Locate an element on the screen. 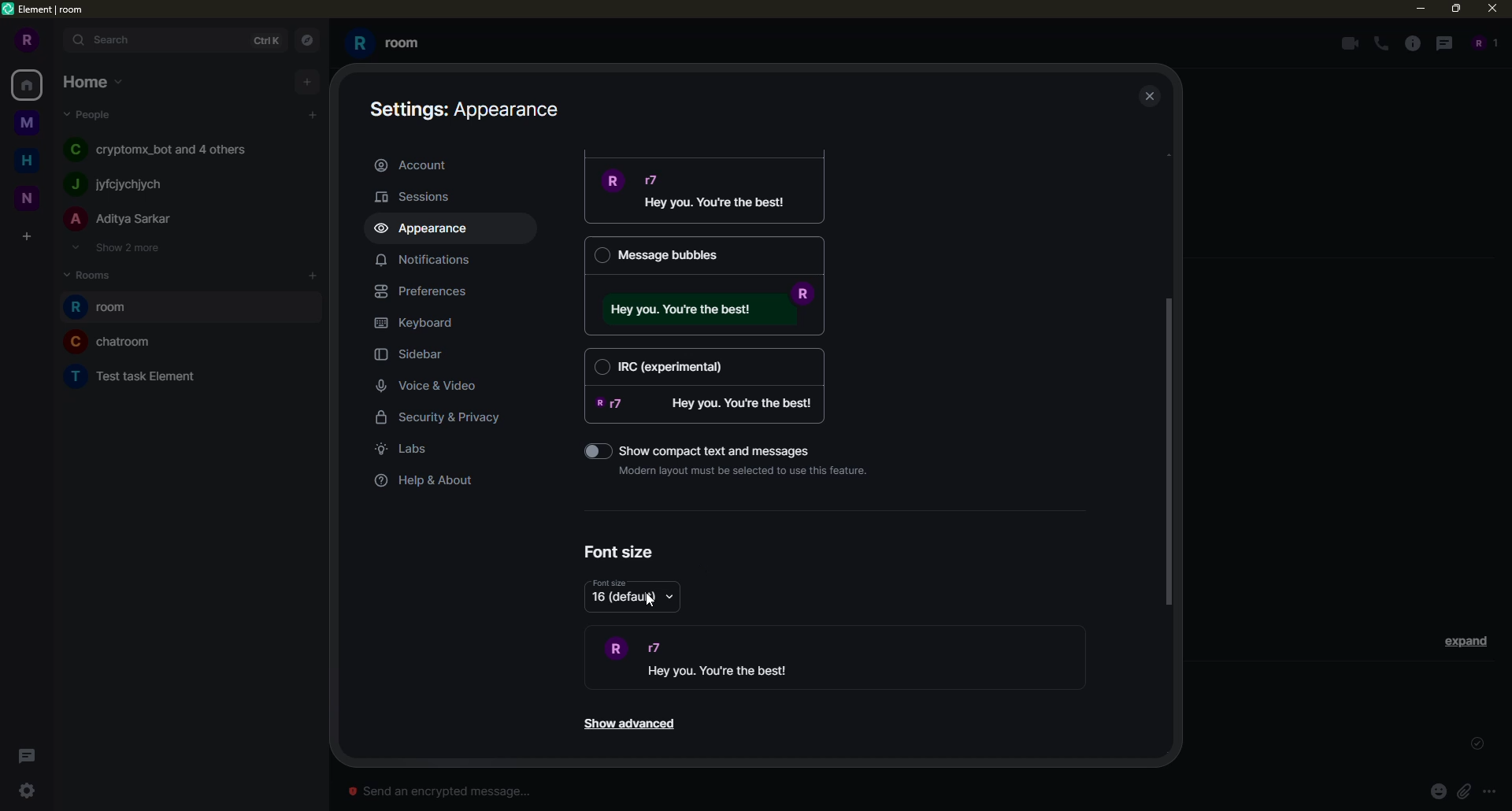  keyboard is located at coordinates (418, 323).